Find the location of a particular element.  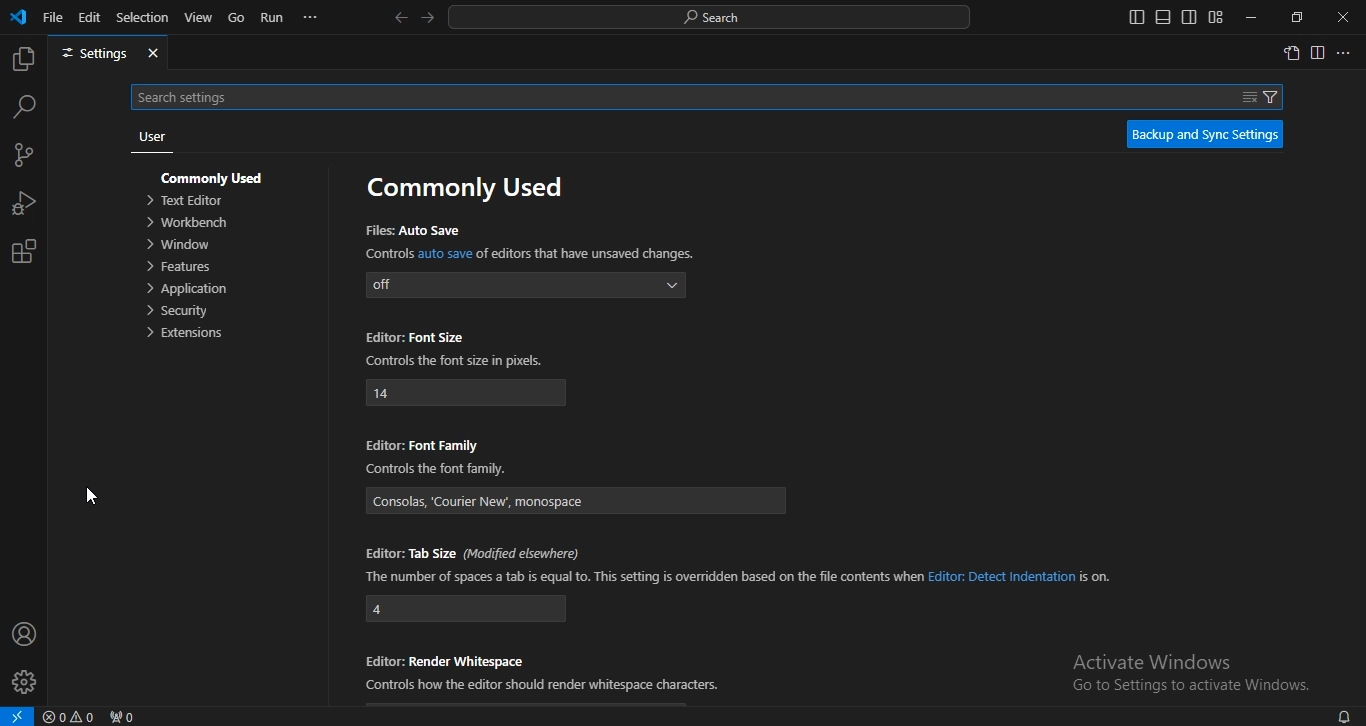

Consolas, ‘Courier New’, monospace is located at coordinates (581, 502).